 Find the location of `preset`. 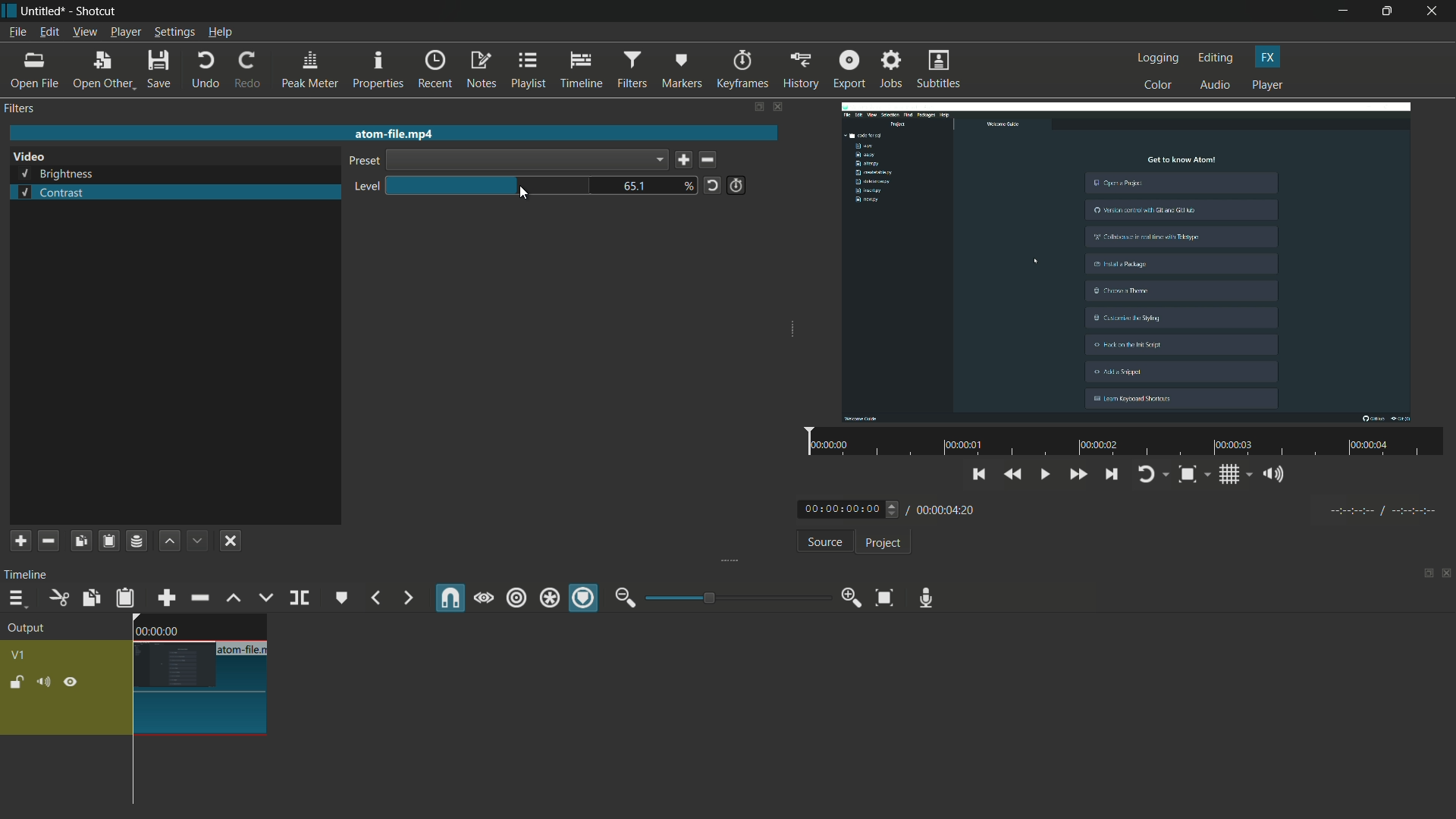

preset is located at coordinates (362, 162).